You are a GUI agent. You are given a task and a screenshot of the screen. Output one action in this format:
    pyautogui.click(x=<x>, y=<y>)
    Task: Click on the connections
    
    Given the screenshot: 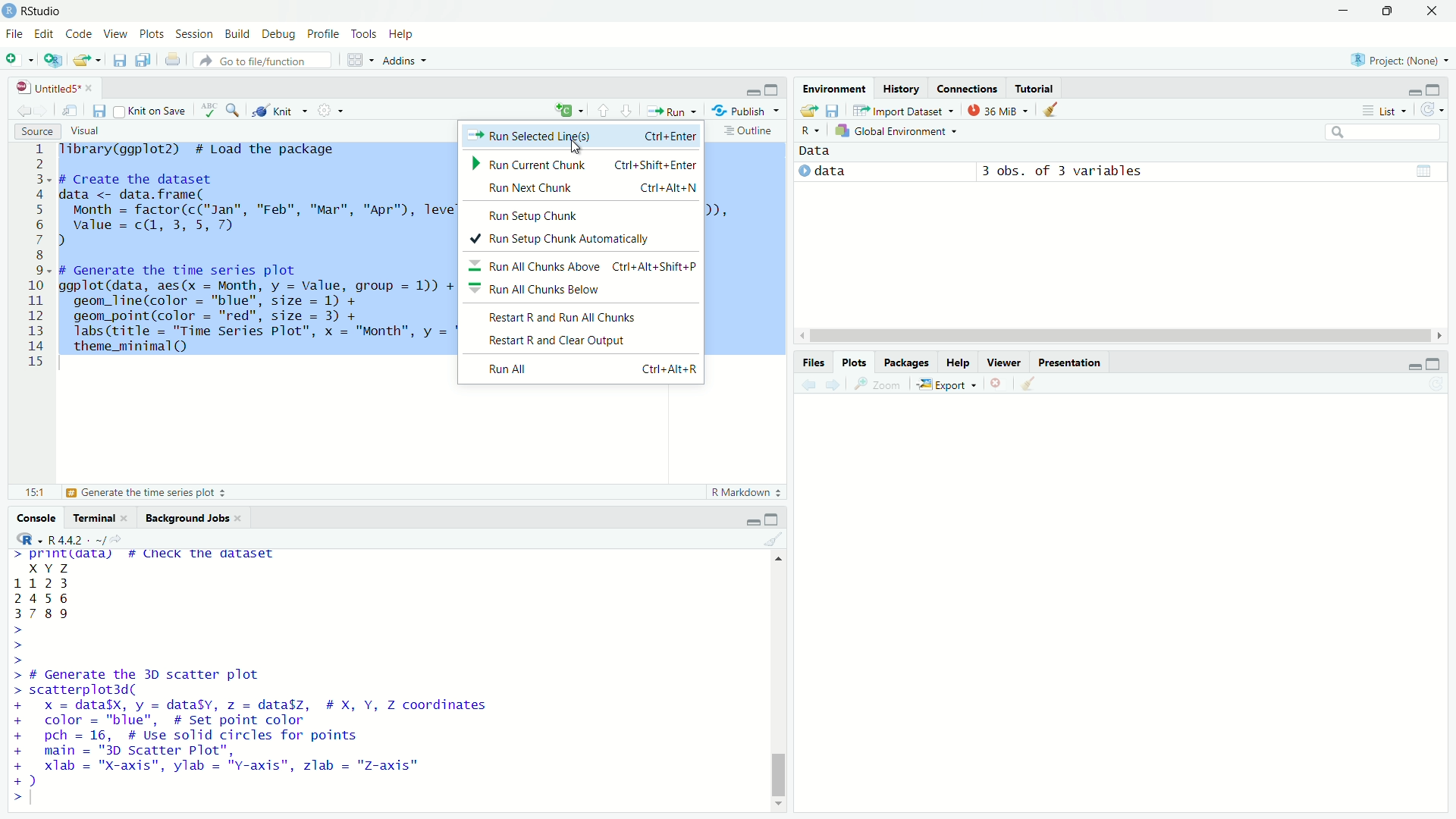 What is the action you would take?
    pyautogui.click(x=968, y=86)
    